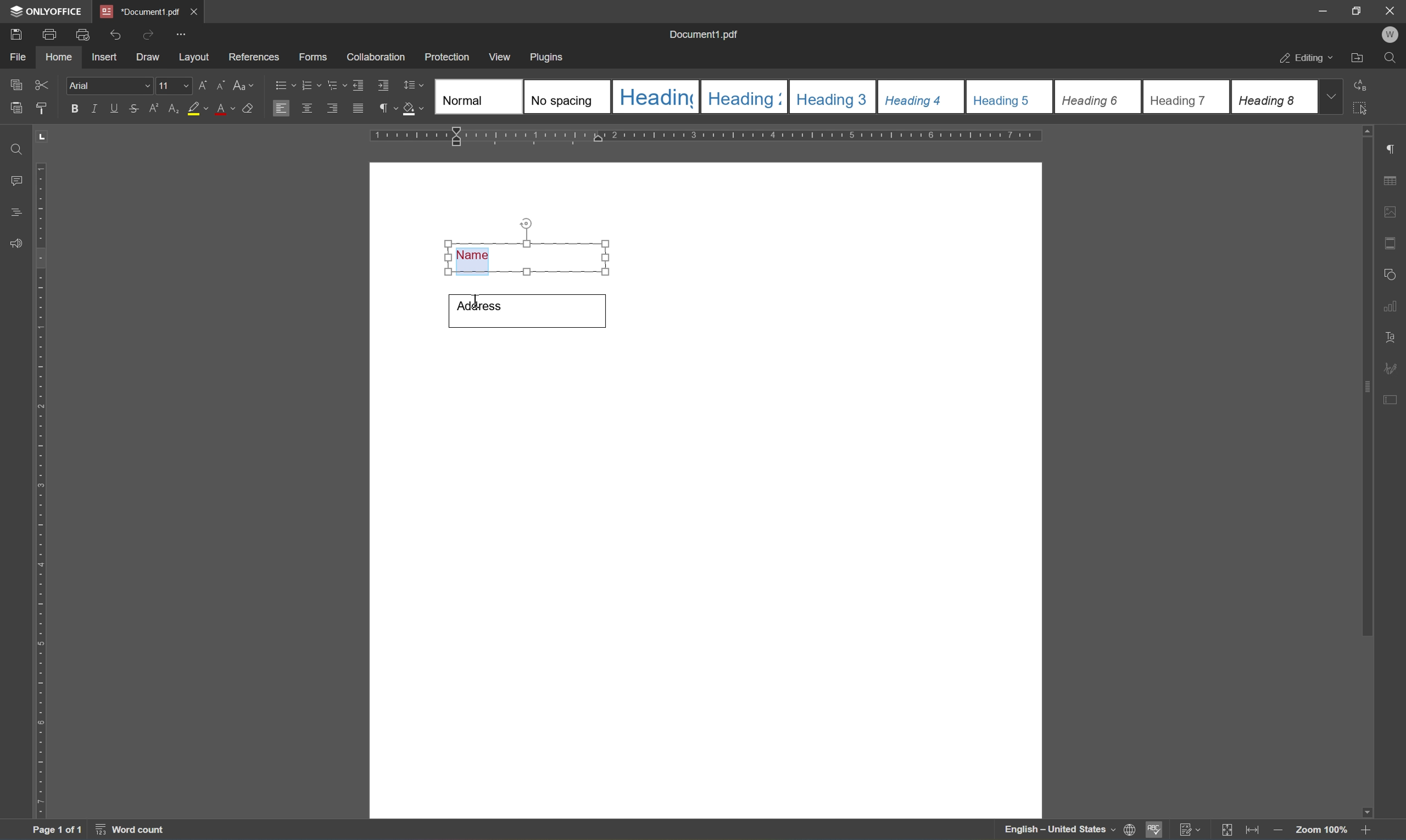 This screenshot has height=840, width=1406. I want to click on welcome, so click(1390, 35).